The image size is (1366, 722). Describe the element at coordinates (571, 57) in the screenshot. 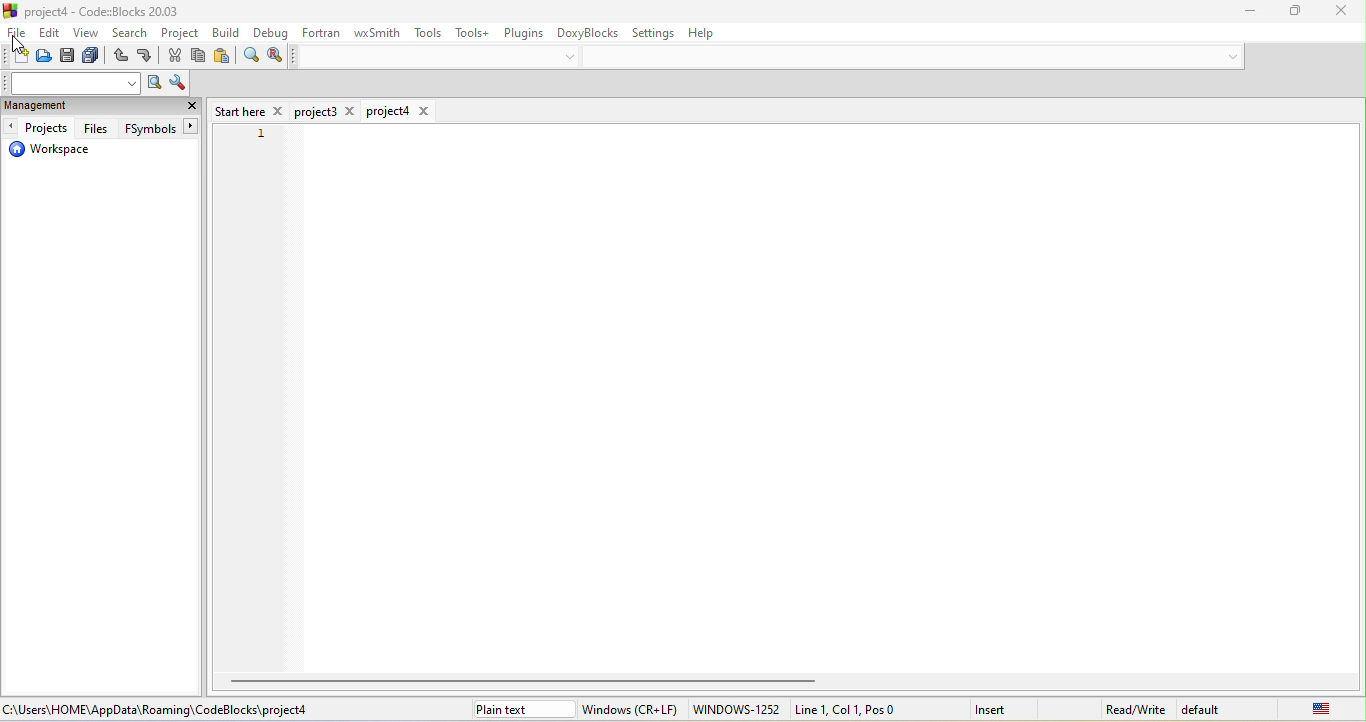

I see `down` at that location.